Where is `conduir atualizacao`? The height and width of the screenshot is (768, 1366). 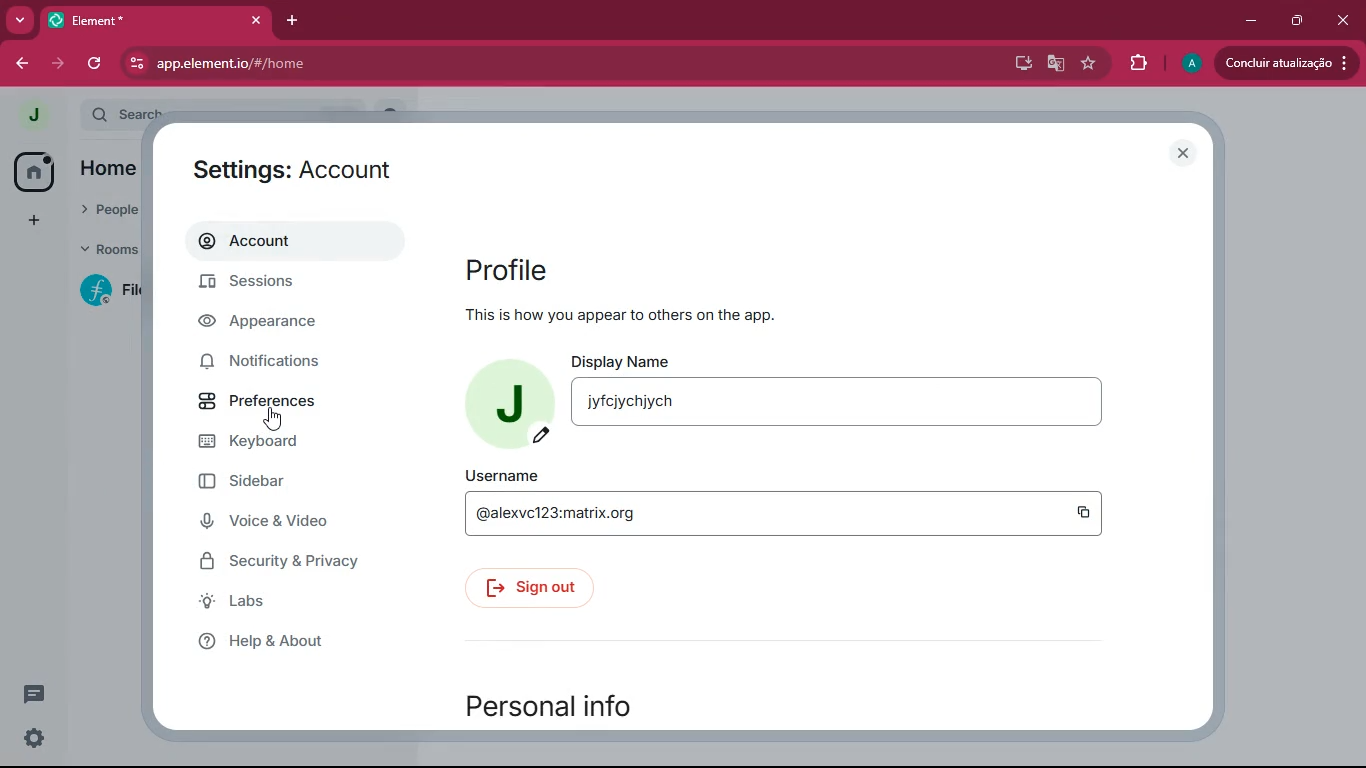
conduir atualizacao is located at coordinates (1287, 62).